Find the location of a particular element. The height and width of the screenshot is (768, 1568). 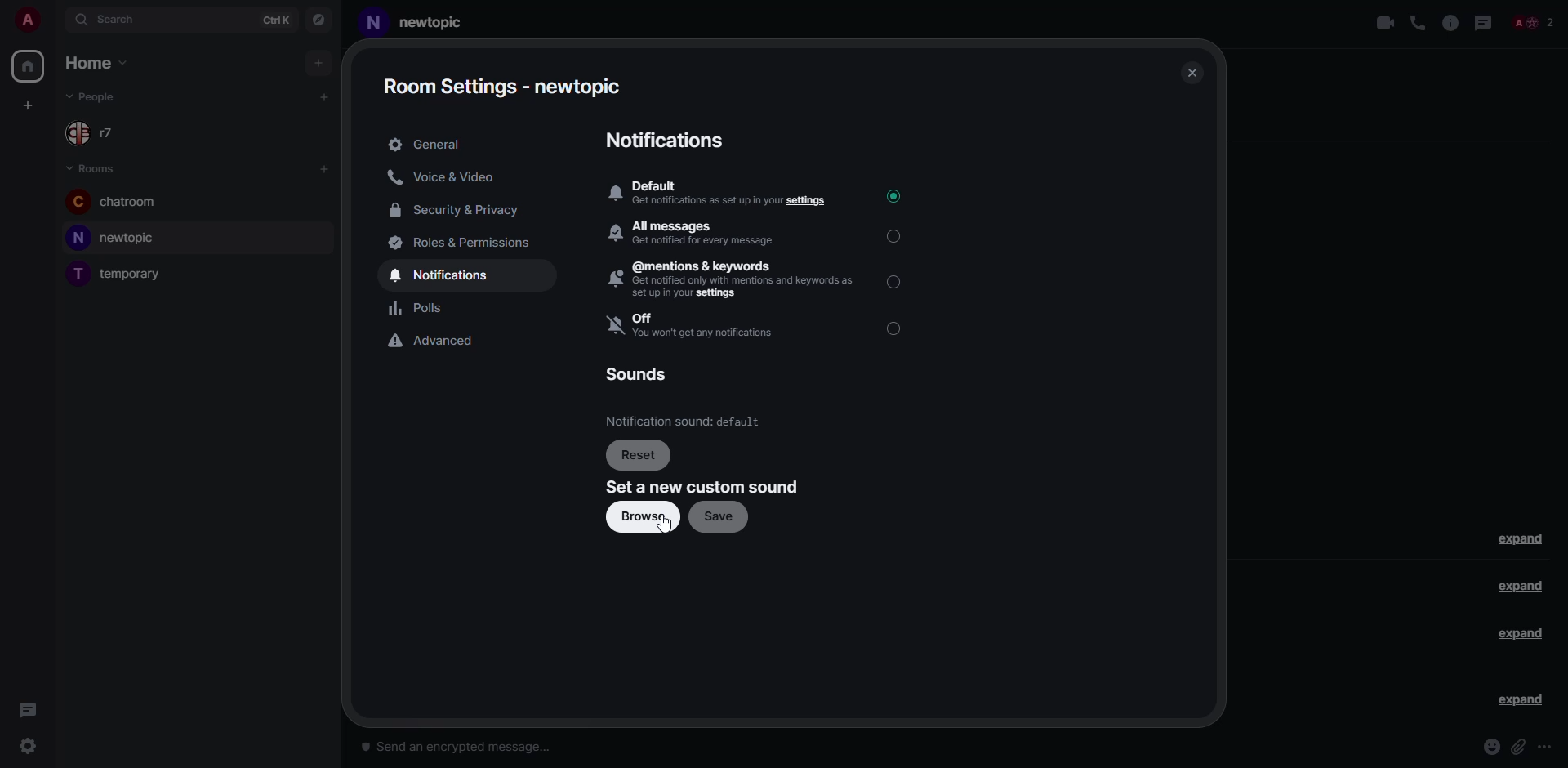

threads is located at coordinates (1483, 22).